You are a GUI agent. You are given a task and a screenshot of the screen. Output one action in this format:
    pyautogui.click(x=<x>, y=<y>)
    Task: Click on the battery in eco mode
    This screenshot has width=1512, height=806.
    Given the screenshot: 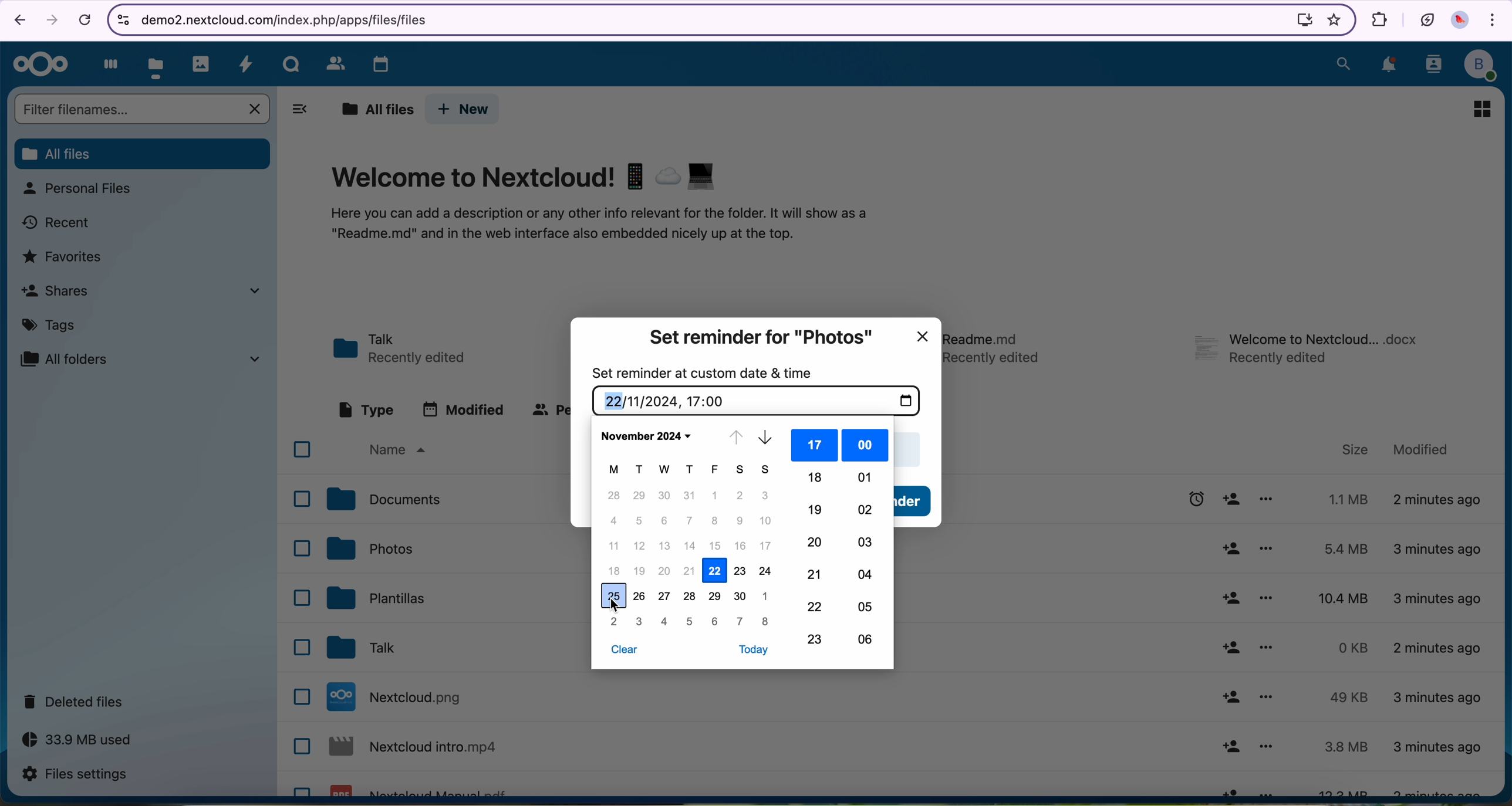 What is the action you would take?
    pyautogui.click(x=1426, y=18)
    